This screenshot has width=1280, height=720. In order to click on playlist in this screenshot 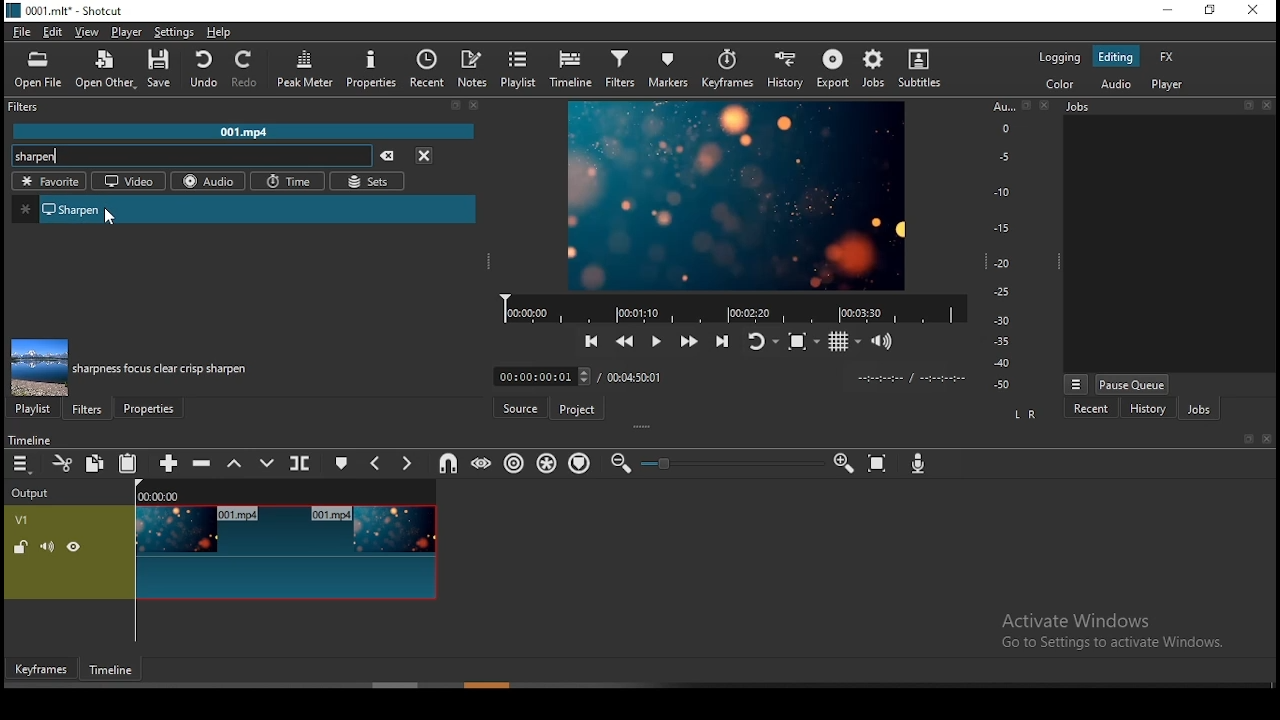, I will do `click(522, 71)`.